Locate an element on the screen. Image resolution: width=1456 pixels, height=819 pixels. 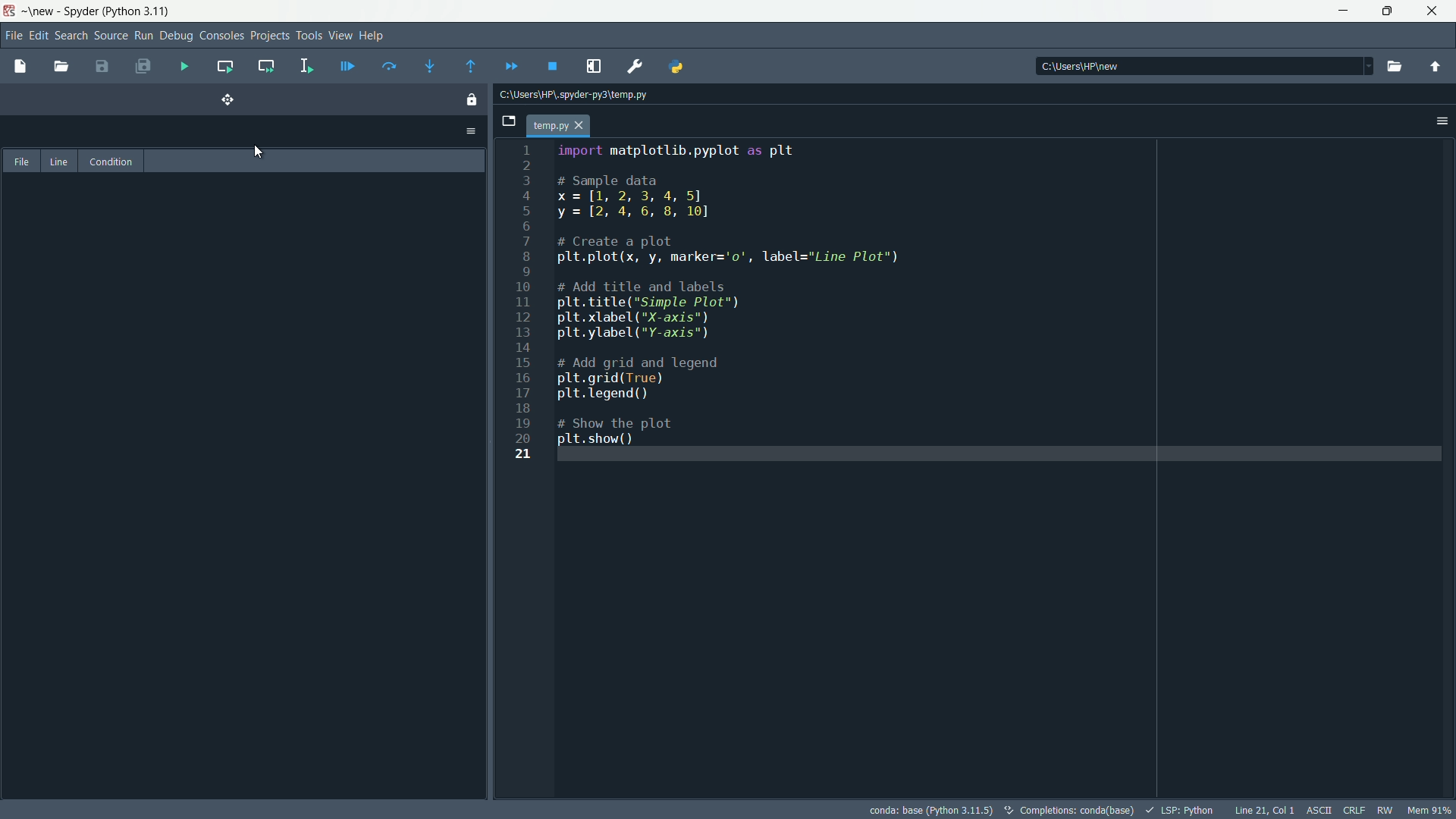
pane position changed to left is located at coordinates (243, 442).